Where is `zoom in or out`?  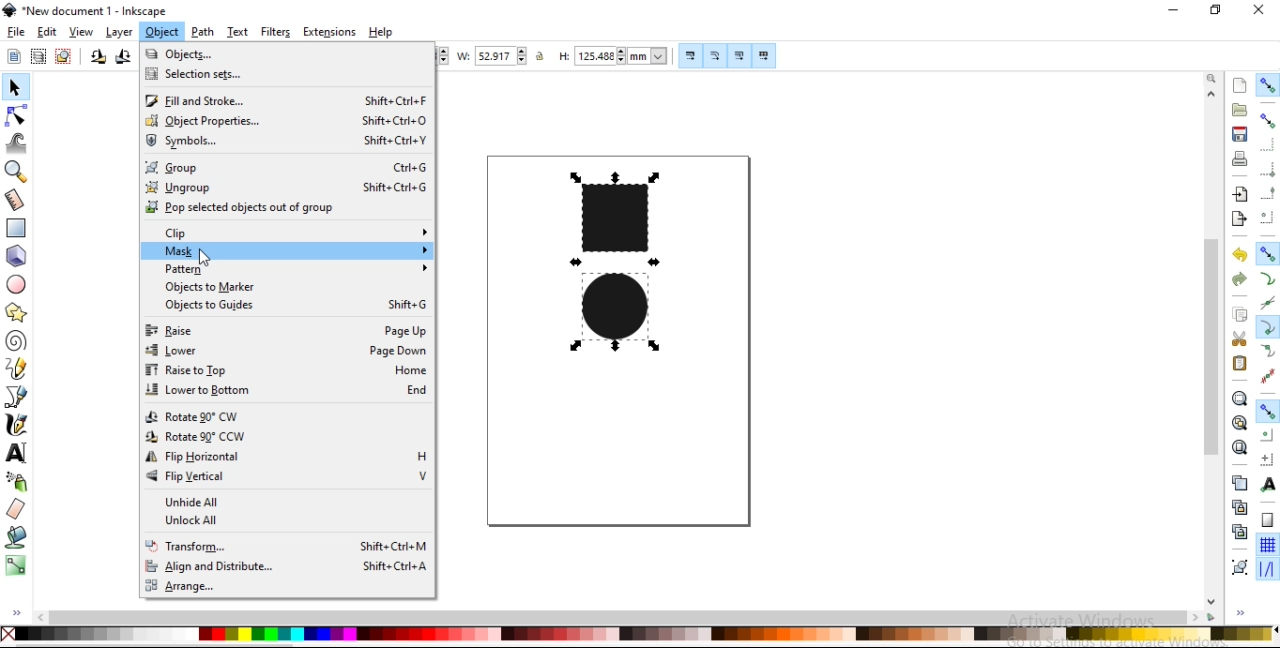
zoom in or out is located at coordinates (14, 174).